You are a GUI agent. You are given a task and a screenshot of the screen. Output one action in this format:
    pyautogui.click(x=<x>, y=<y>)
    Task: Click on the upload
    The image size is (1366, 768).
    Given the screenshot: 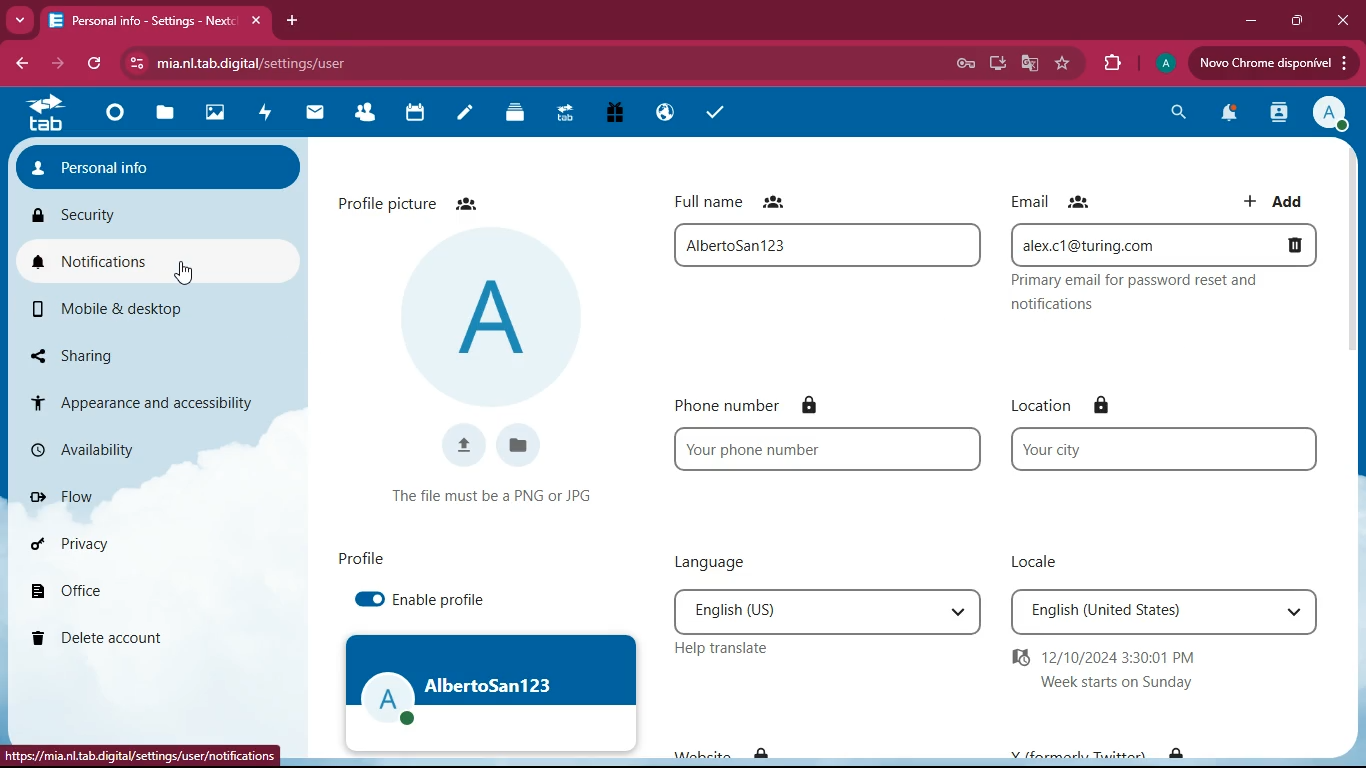 What is the action you would take?
    pyautogui.click(x=456, y=446)
    